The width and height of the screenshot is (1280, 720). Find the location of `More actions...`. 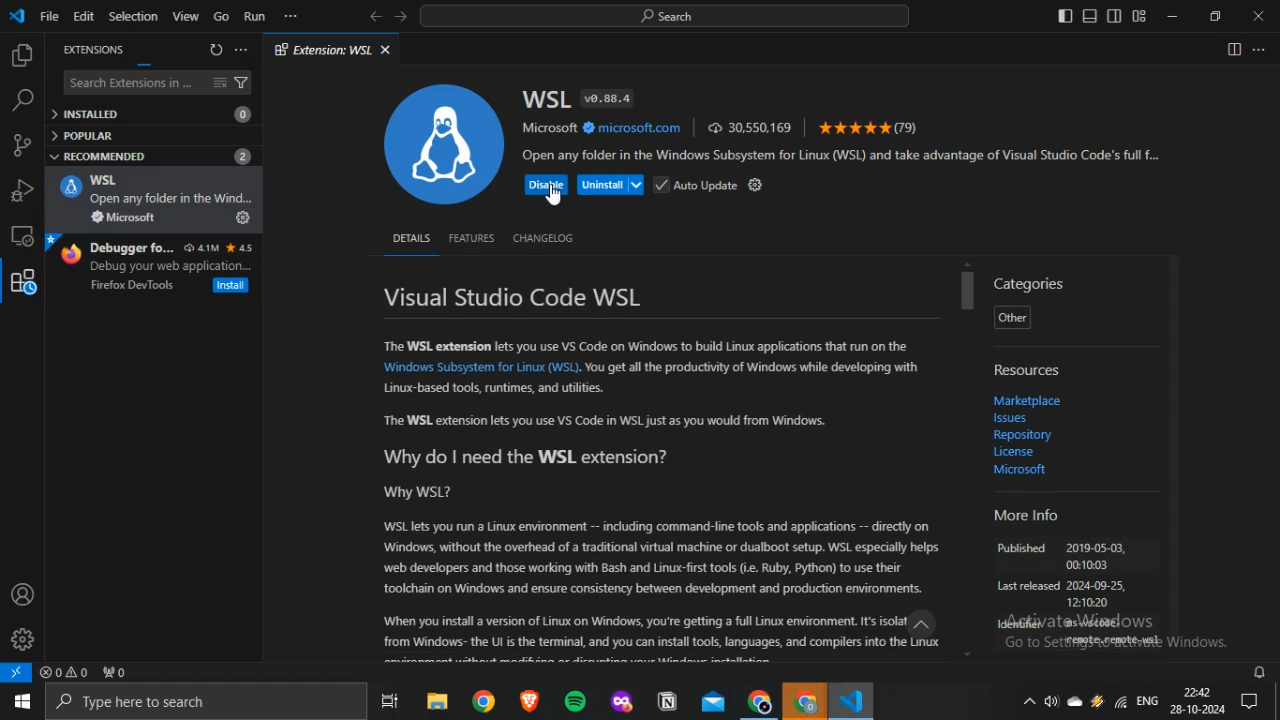

More actions... is located at coordinates (1259, 49).